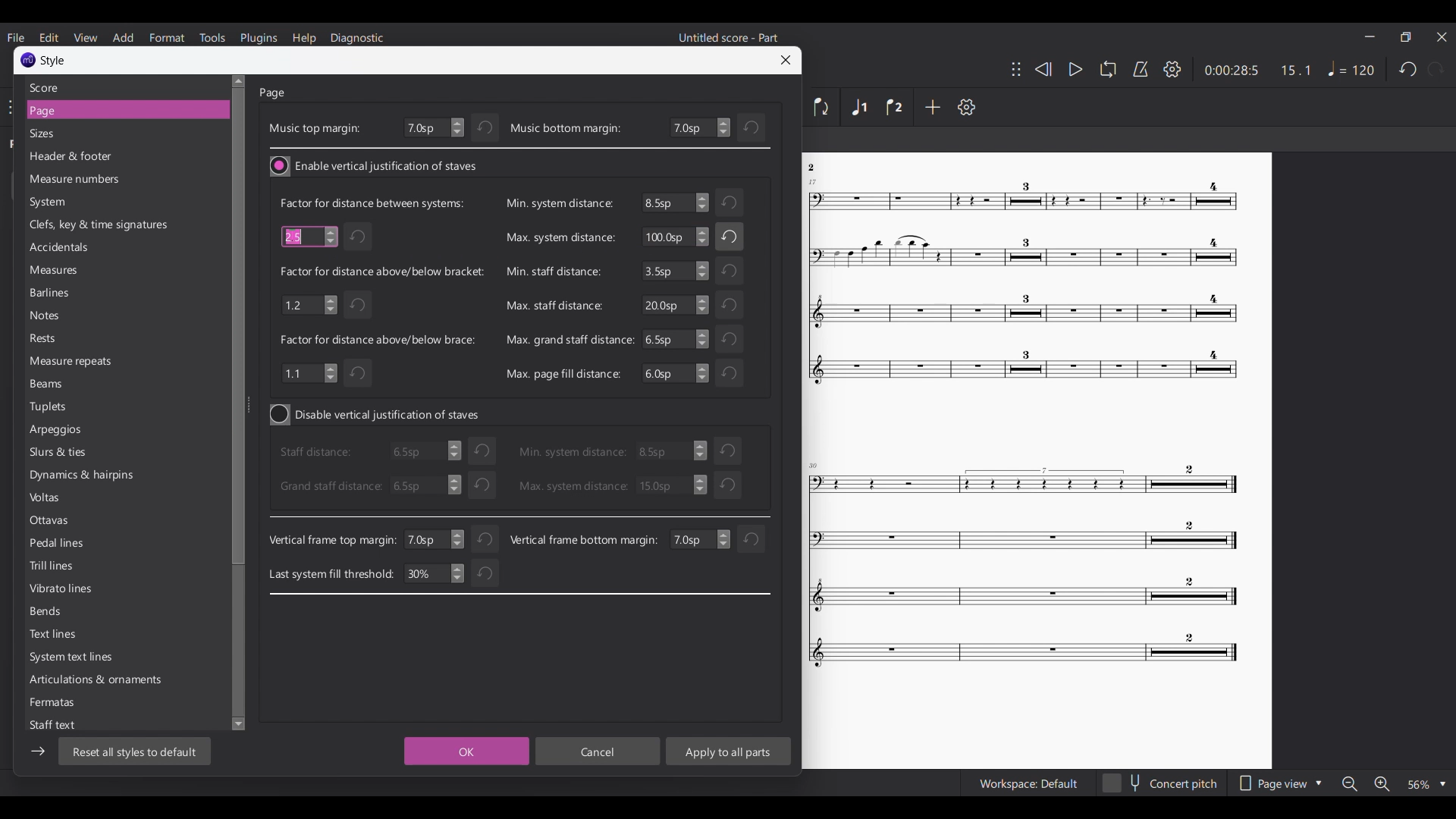 This screenshot has height=819, width=1456. What do you see at coordinates (752, 127) in the screenshot?
I see `Undo change` at bounding box center [752, 127].